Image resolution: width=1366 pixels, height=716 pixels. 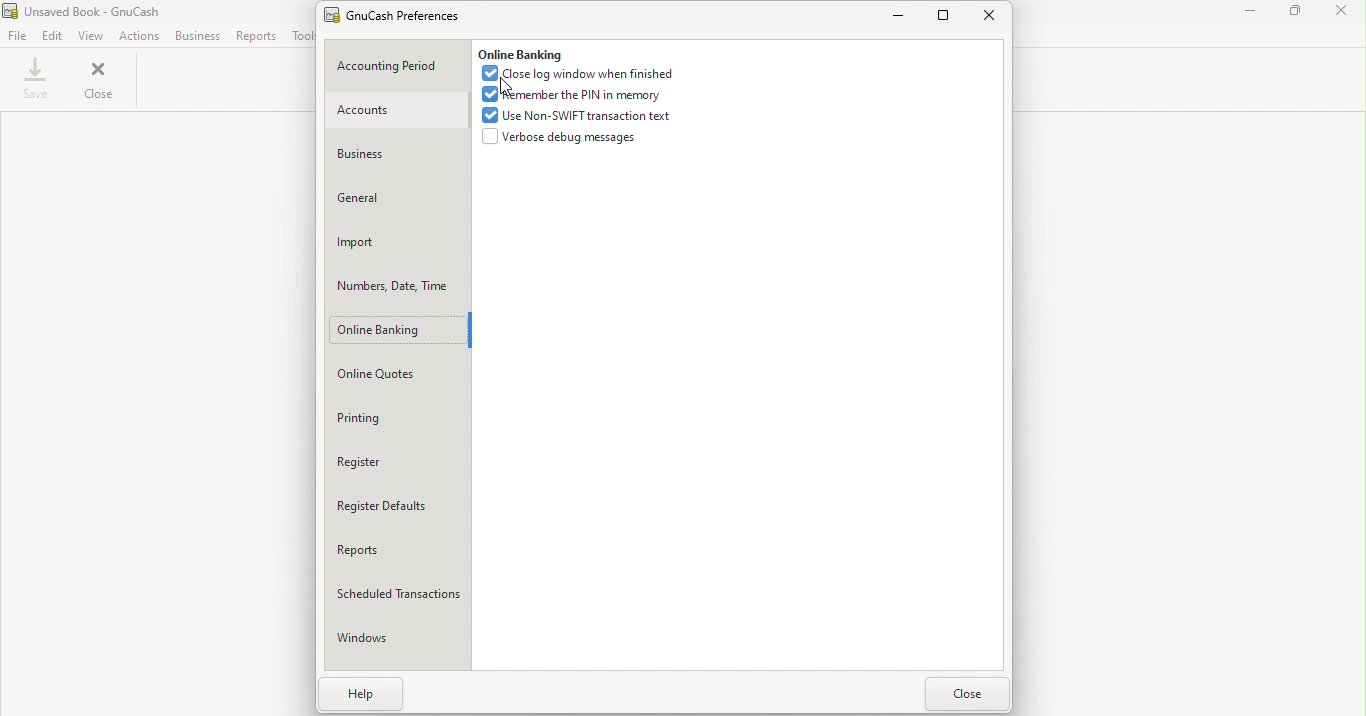 I want to click on Printing, so click(x=397, y=420).